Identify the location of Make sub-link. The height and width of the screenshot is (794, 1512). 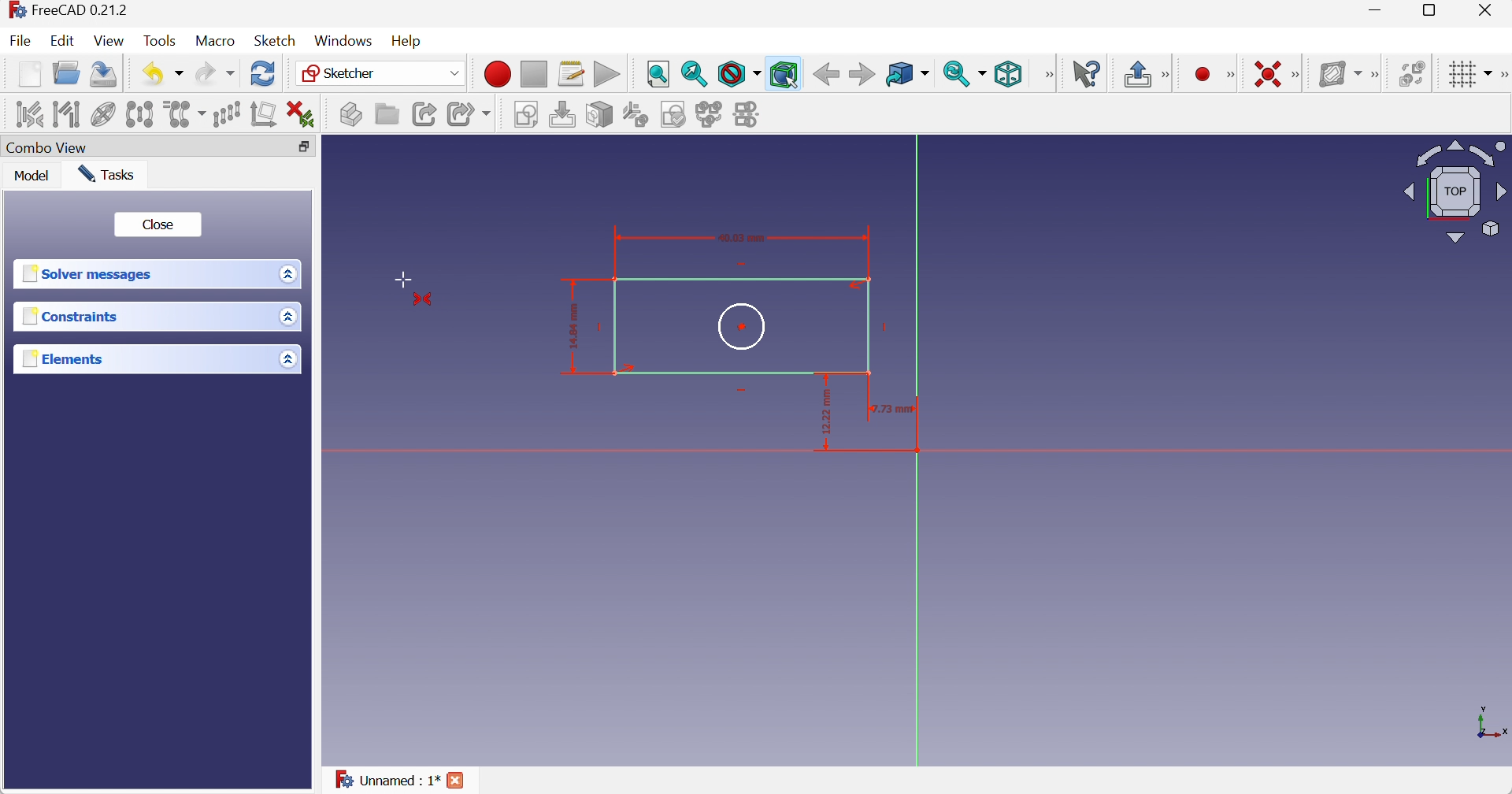
(470, 114).